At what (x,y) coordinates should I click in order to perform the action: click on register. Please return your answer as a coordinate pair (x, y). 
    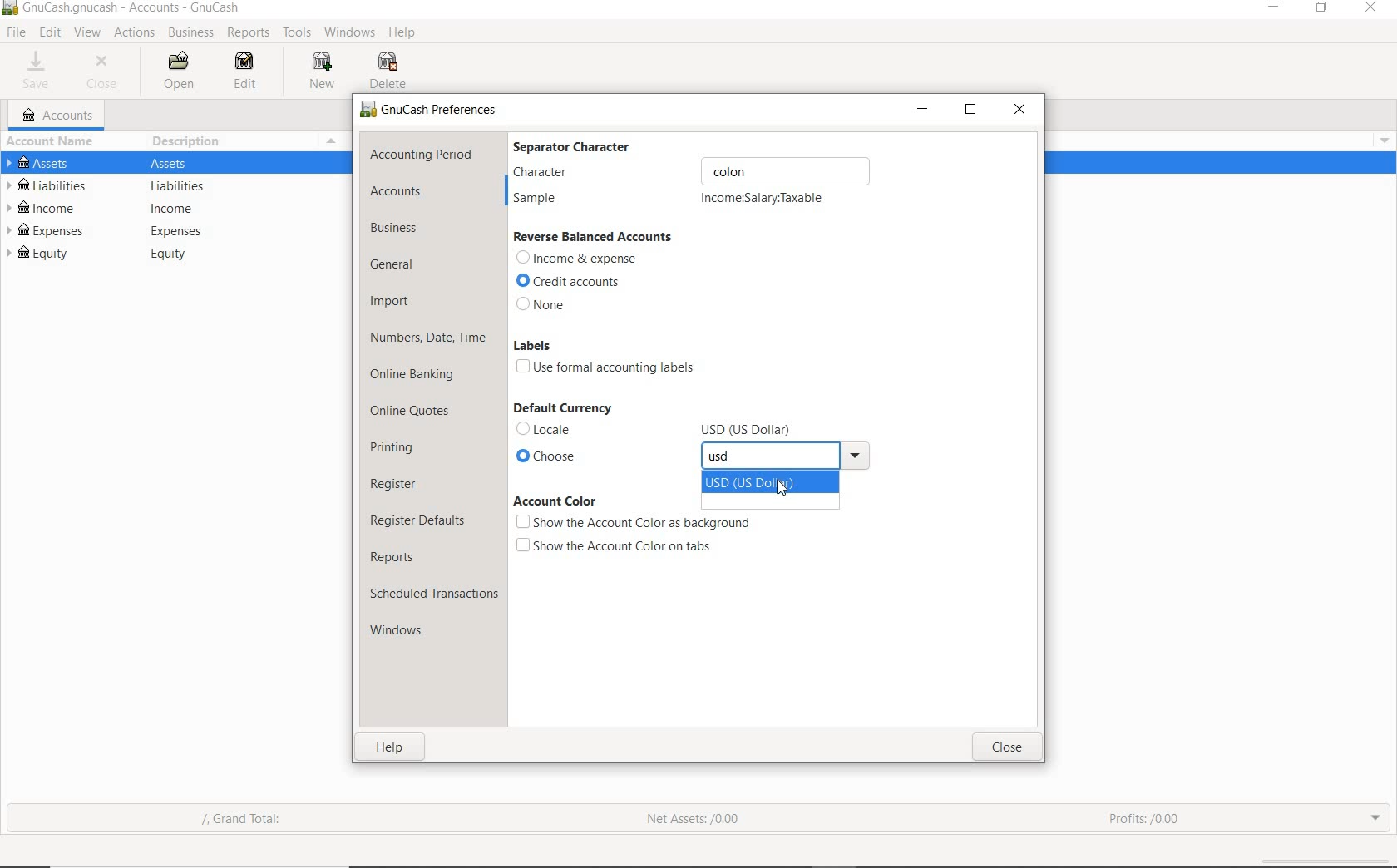
    Looking at the image, I should click on (395, 483).